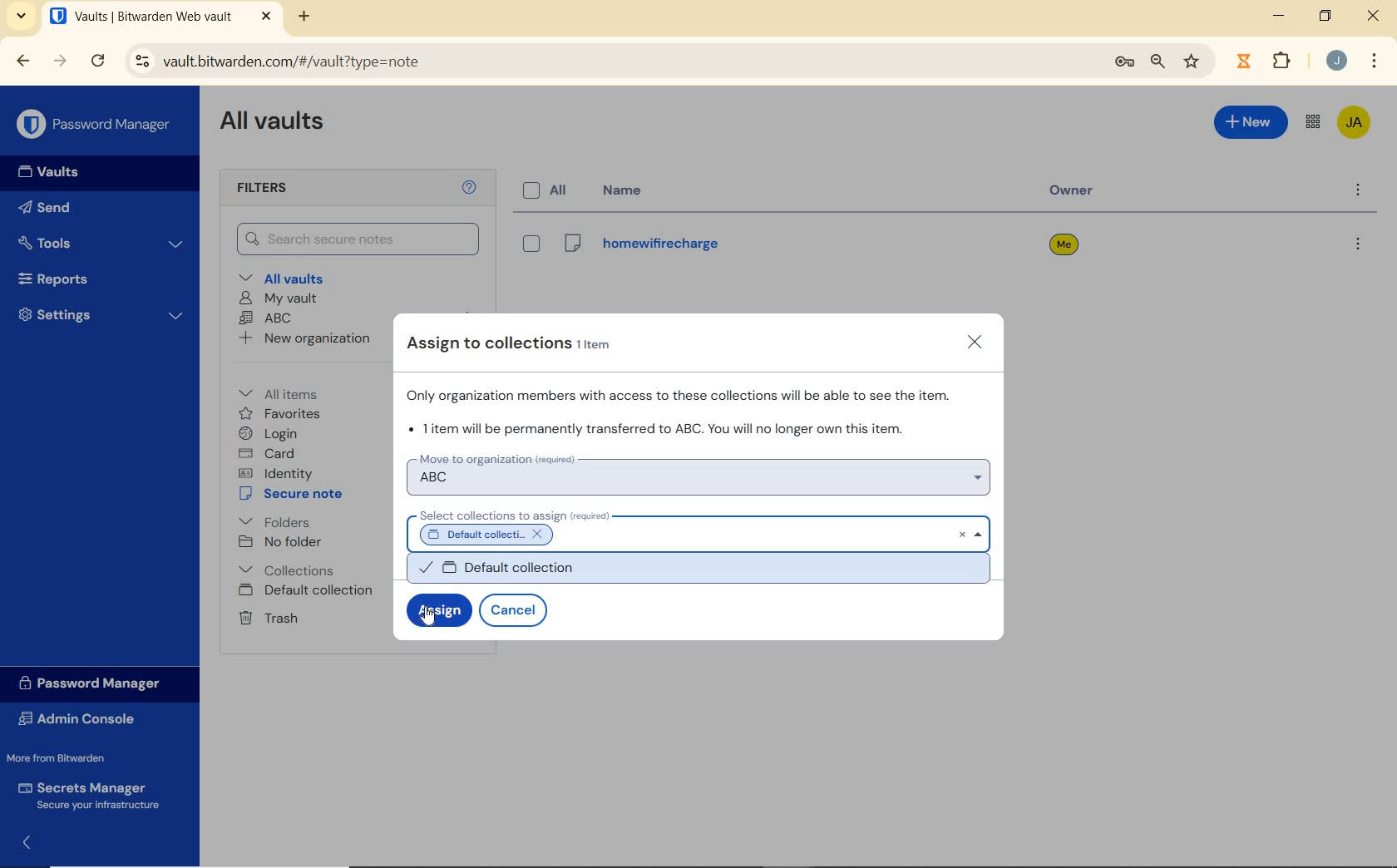 Image resolution: width=1397 pixels, height=868 pixels. Describe the element at coordinates (1242, 62) in the screenshot. I see `extensions` at that location.